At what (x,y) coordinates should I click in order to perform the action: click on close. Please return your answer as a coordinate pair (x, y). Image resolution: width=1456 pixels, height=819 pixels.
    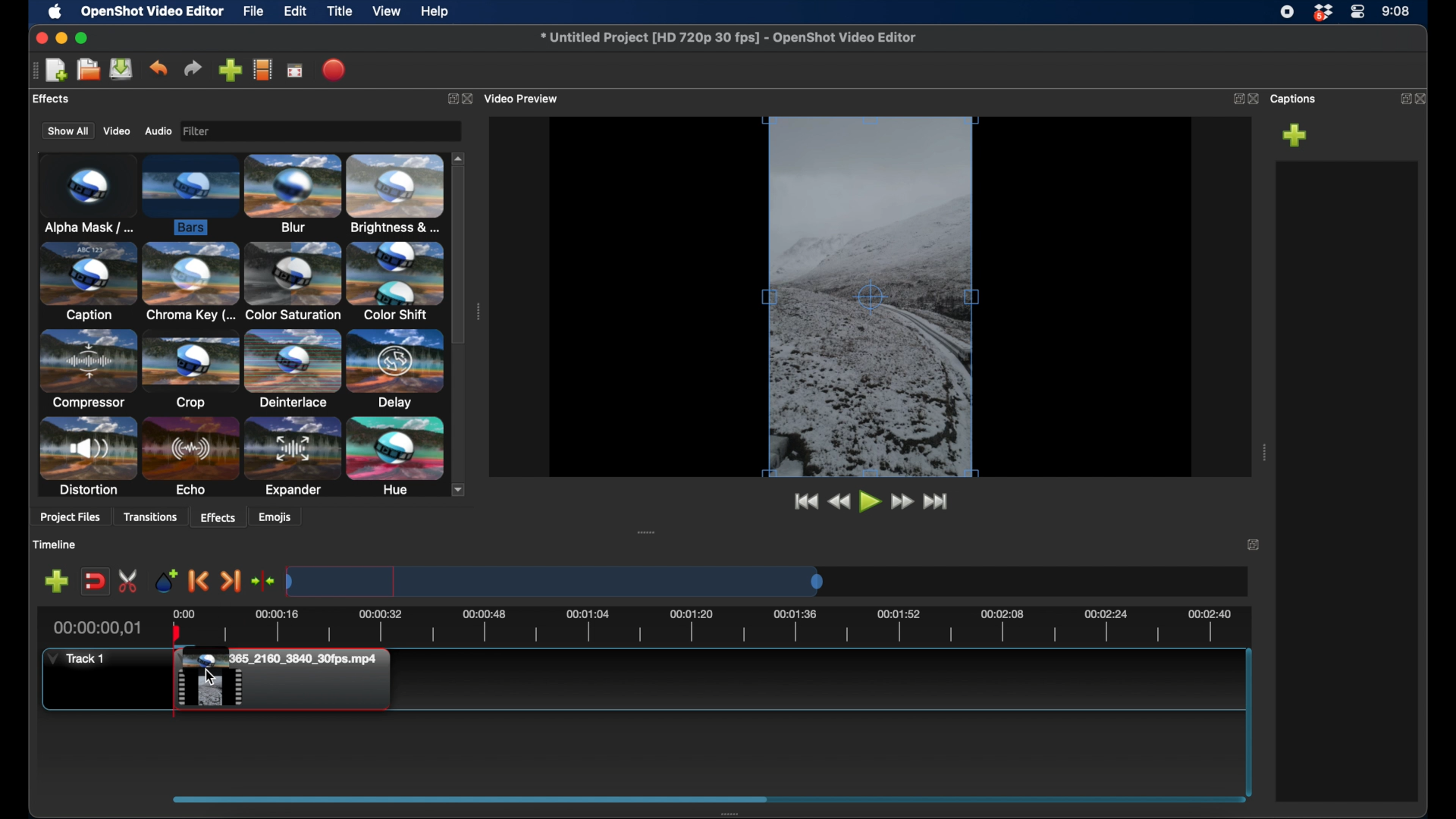
    Looking at the image, I should click on (1424, 97).